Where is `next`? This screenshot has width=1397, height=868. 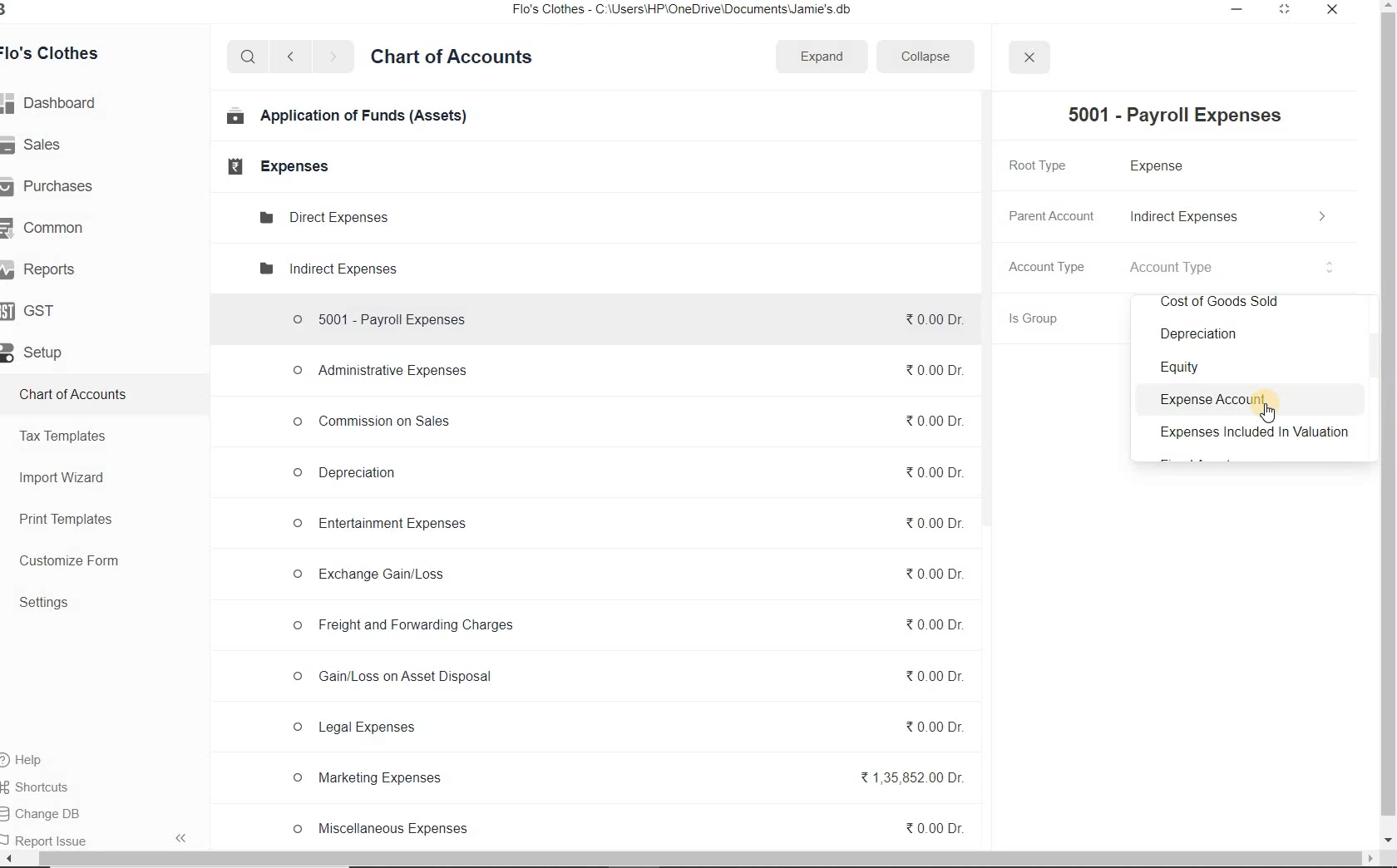 next is located at coordinates (336, 58).